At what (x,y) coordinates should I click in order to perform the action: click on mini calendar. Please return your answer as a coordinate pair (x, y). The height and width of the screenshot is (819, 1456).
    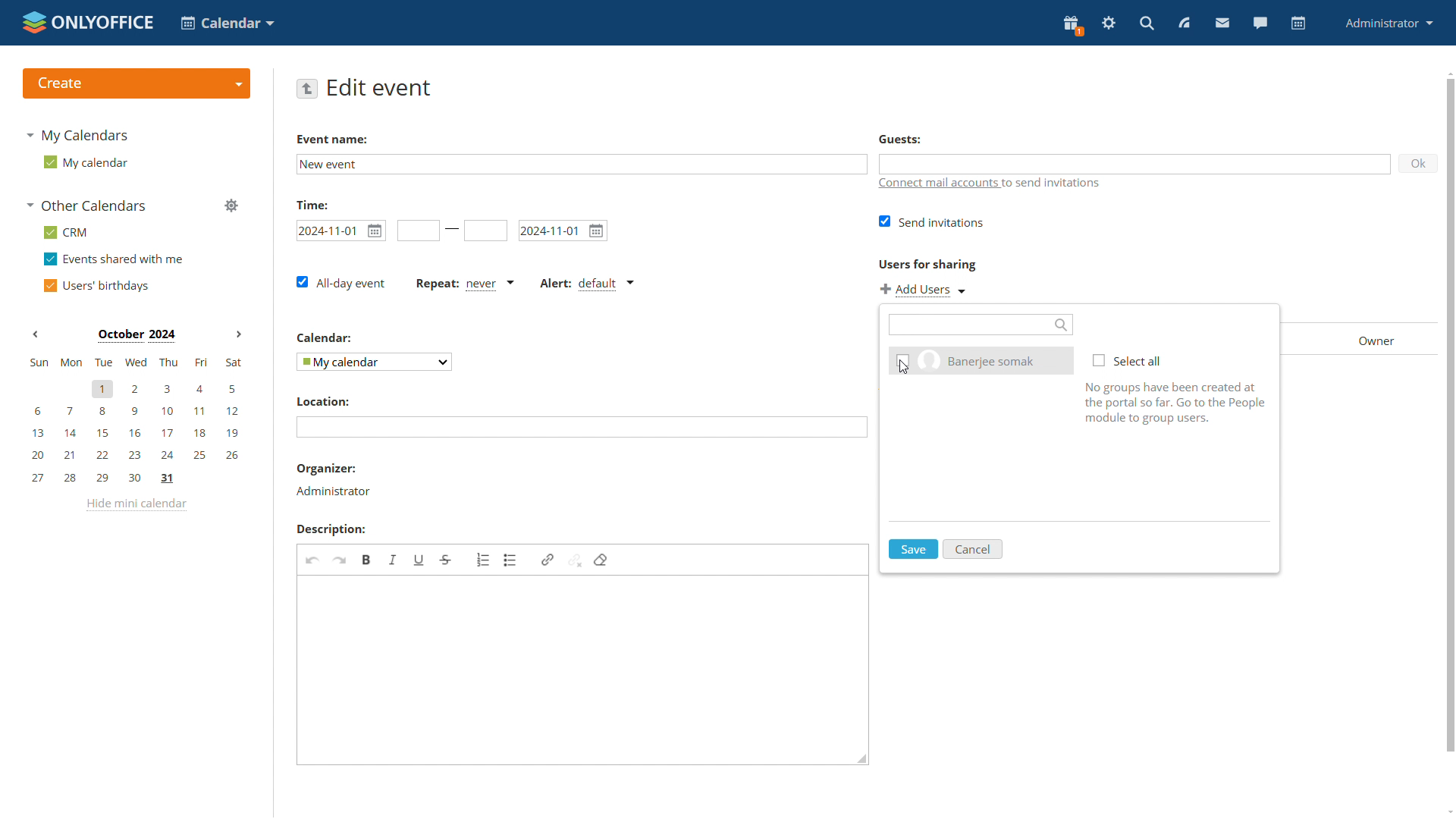
    Looking at the image, I should click on (135, 421).